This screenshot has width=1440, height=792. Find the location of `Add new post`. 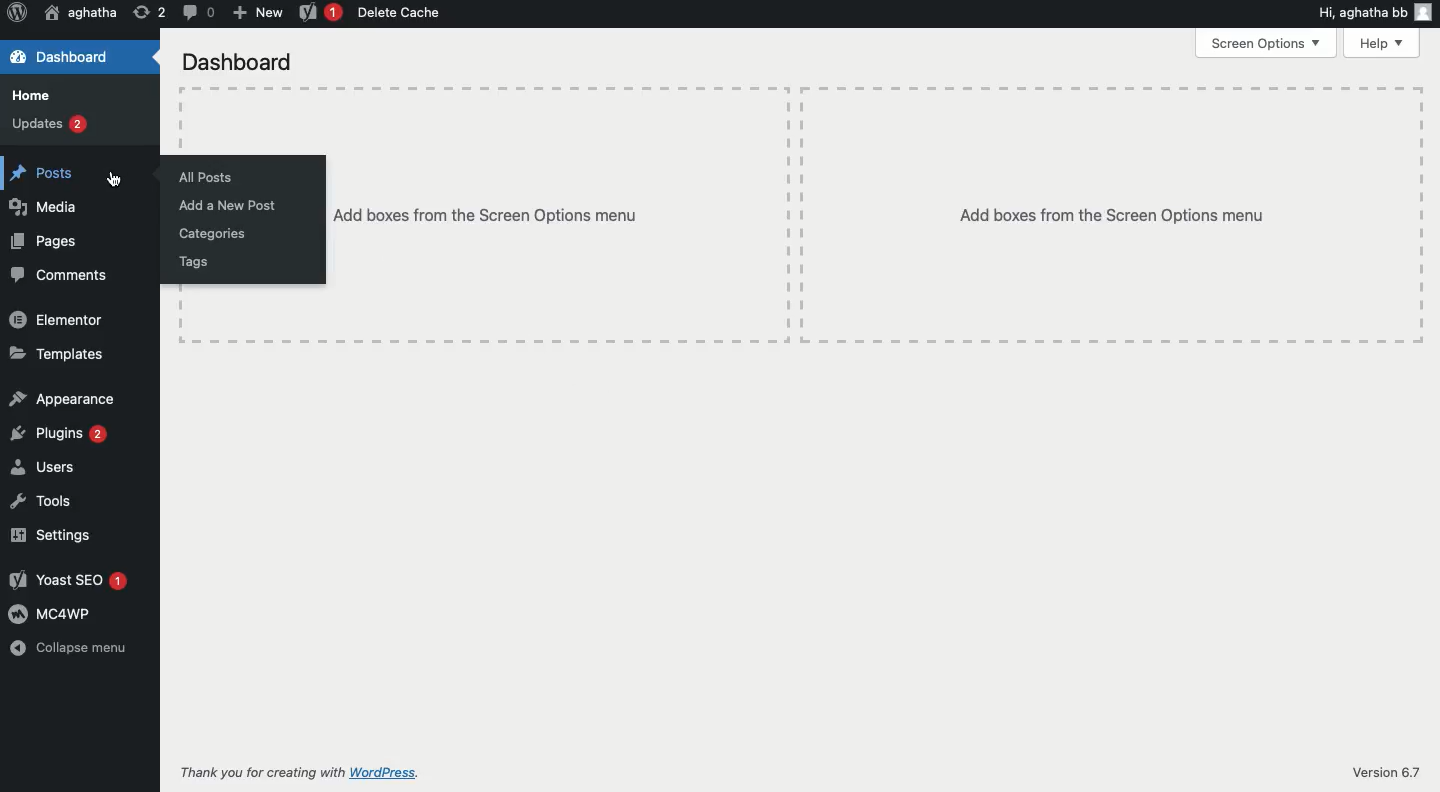

Add new post is located at coordinates (233, 206).